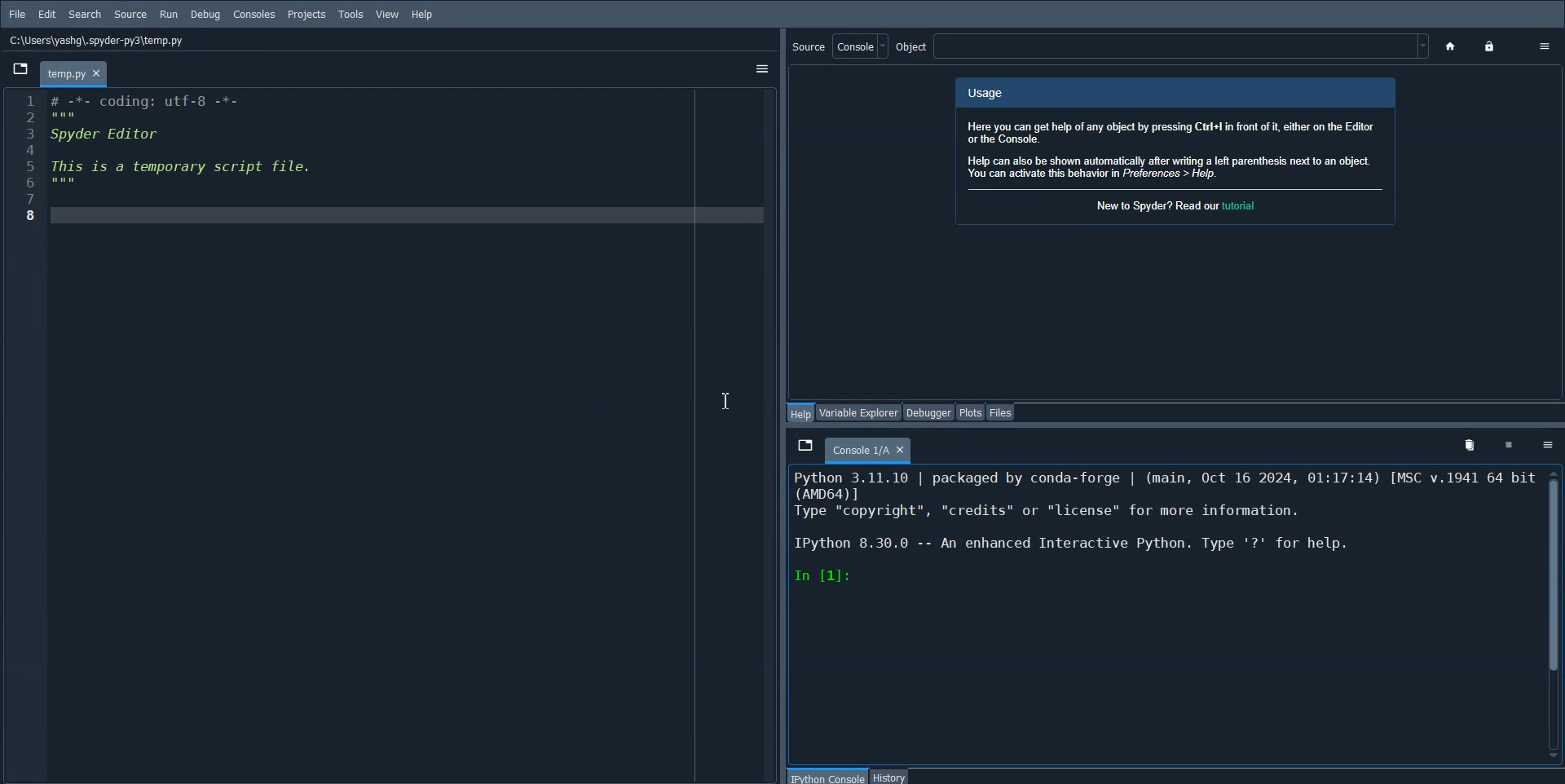  Describe the element at coordinates (1469, 447) in the screenshot. I see `Delete` at that location.